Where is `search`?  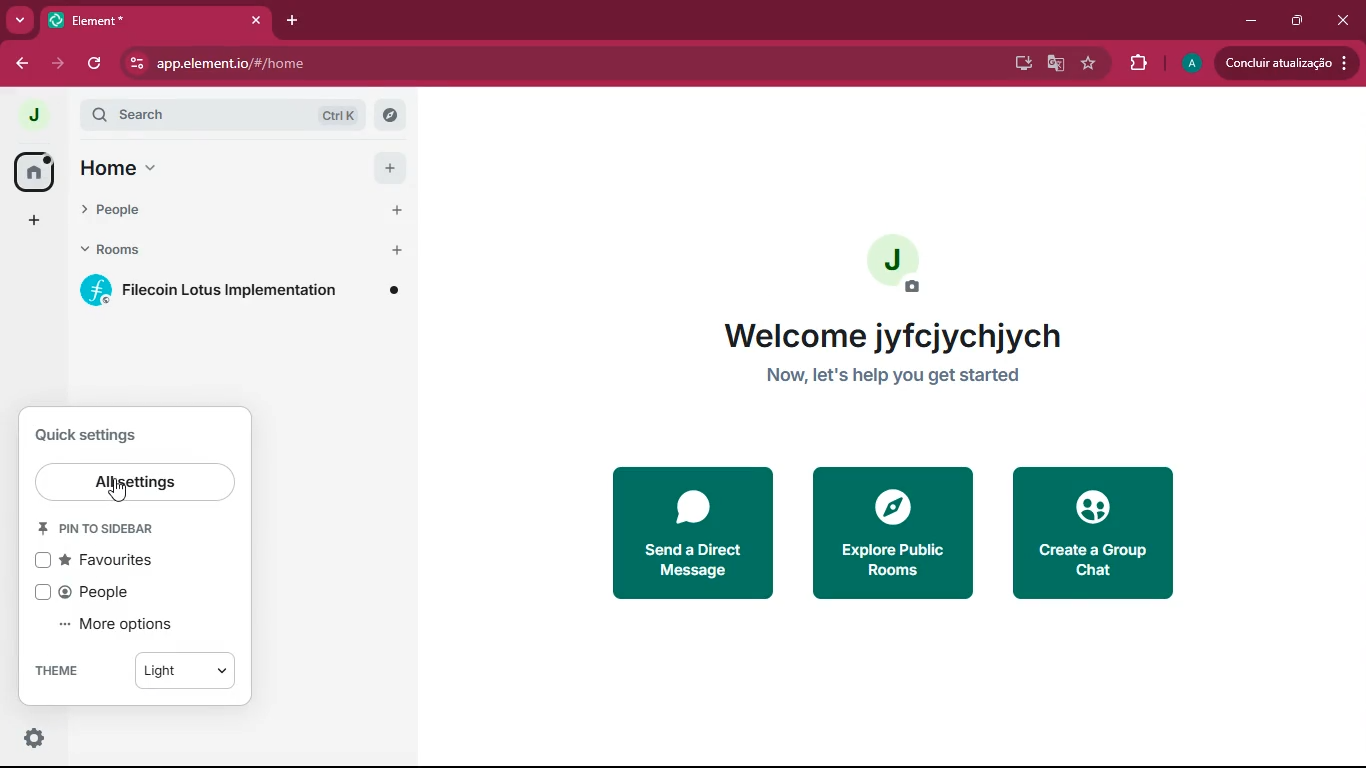 search is located at coordinates (223, 114).